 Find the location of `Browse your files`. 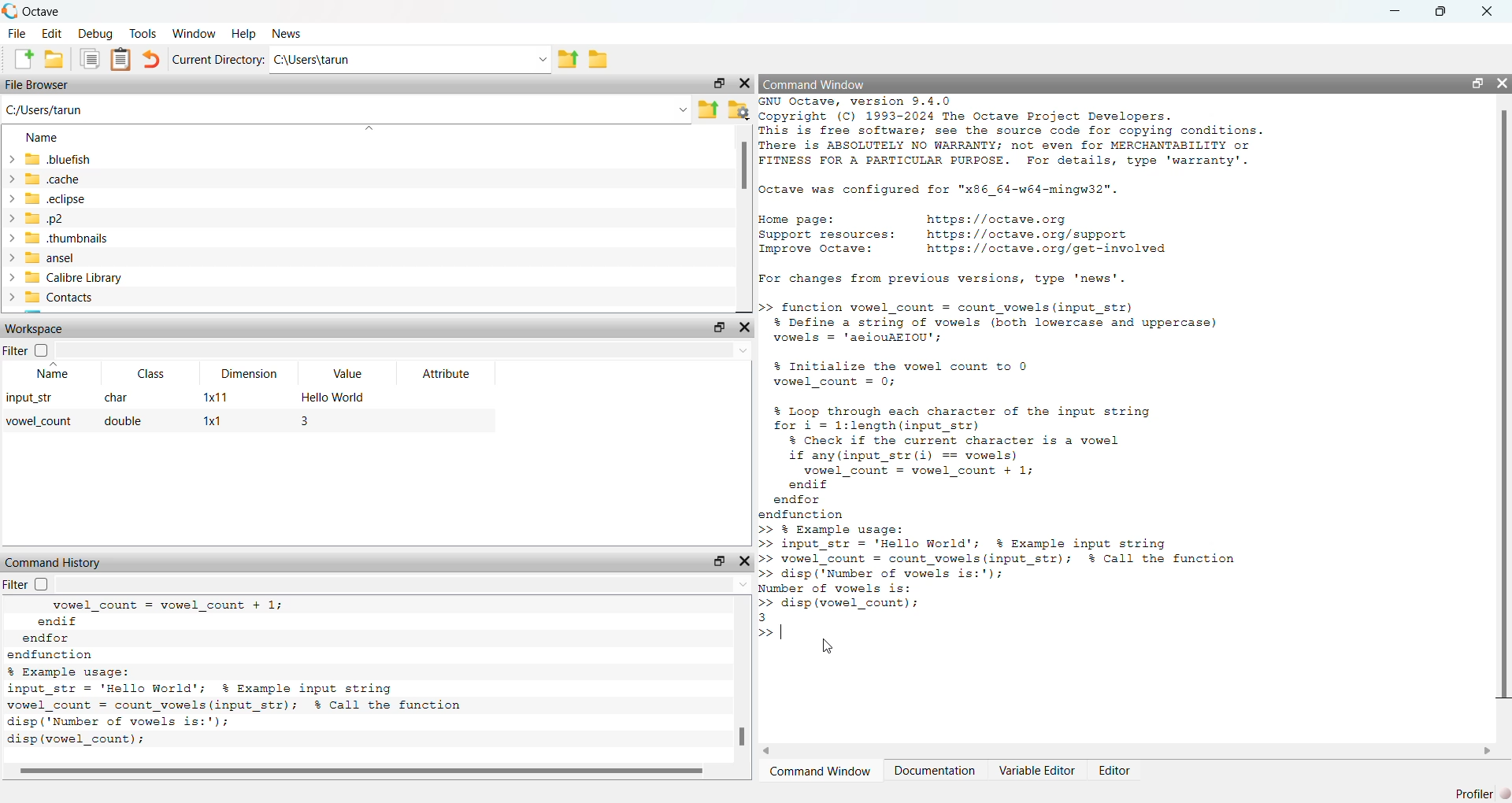

Browse your files is located at coordinates (739, 110).